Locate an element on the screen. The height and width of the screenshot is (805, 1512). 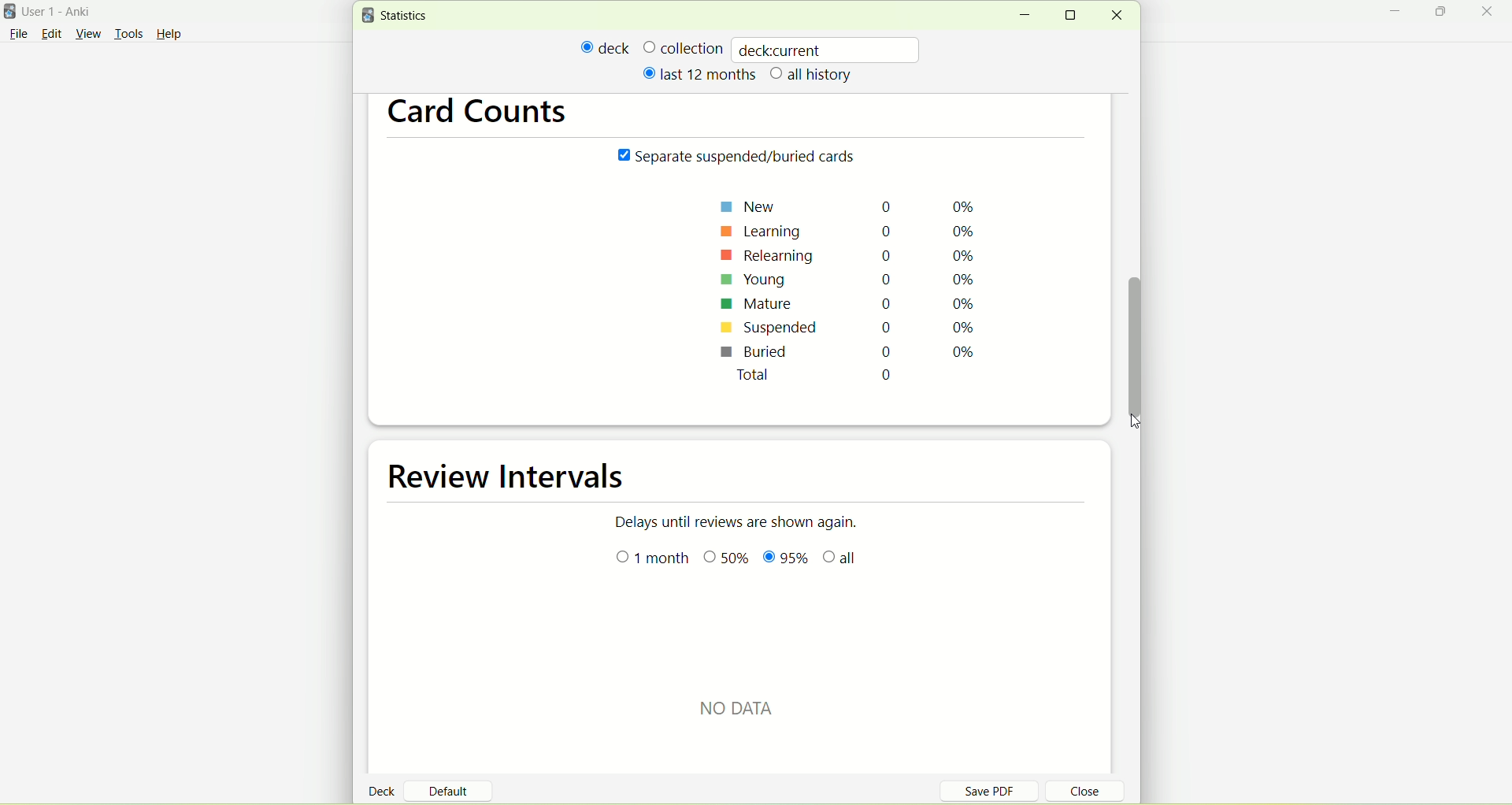
mature 0 0% is located at coordinates (850, 306).